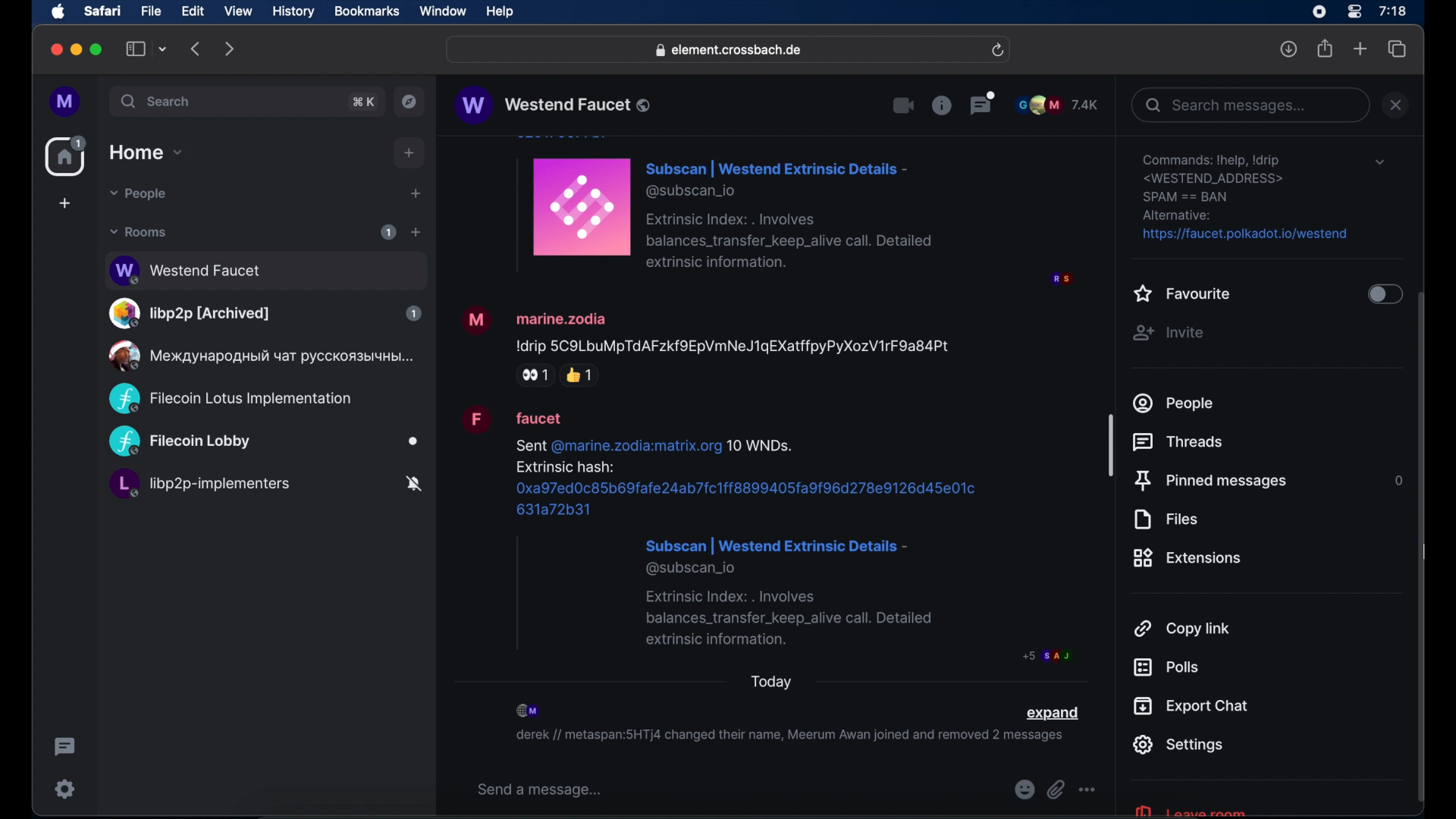 This screenshot has height=819, width=1456. Describe the element at coordinates (265, 486) in the screenshot. I see `public room` at that location.